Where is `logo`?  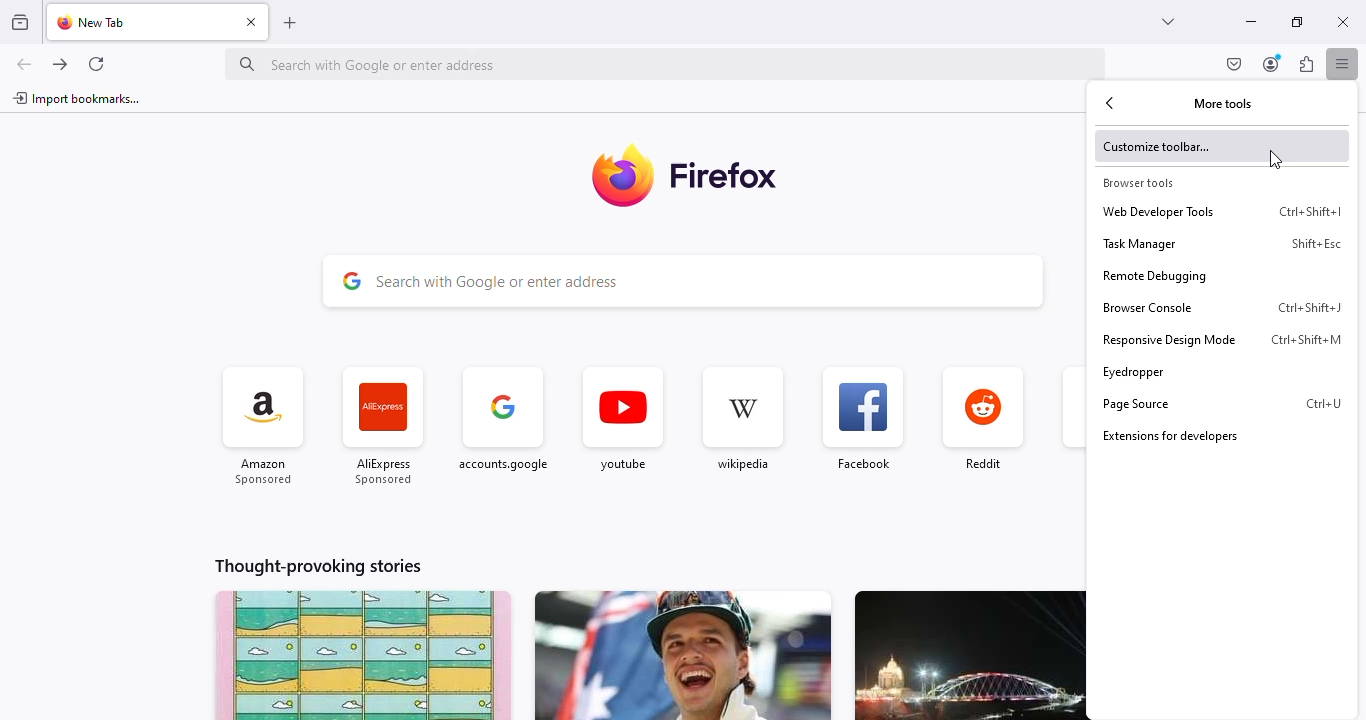
logo is located at coordinates (620, 178).